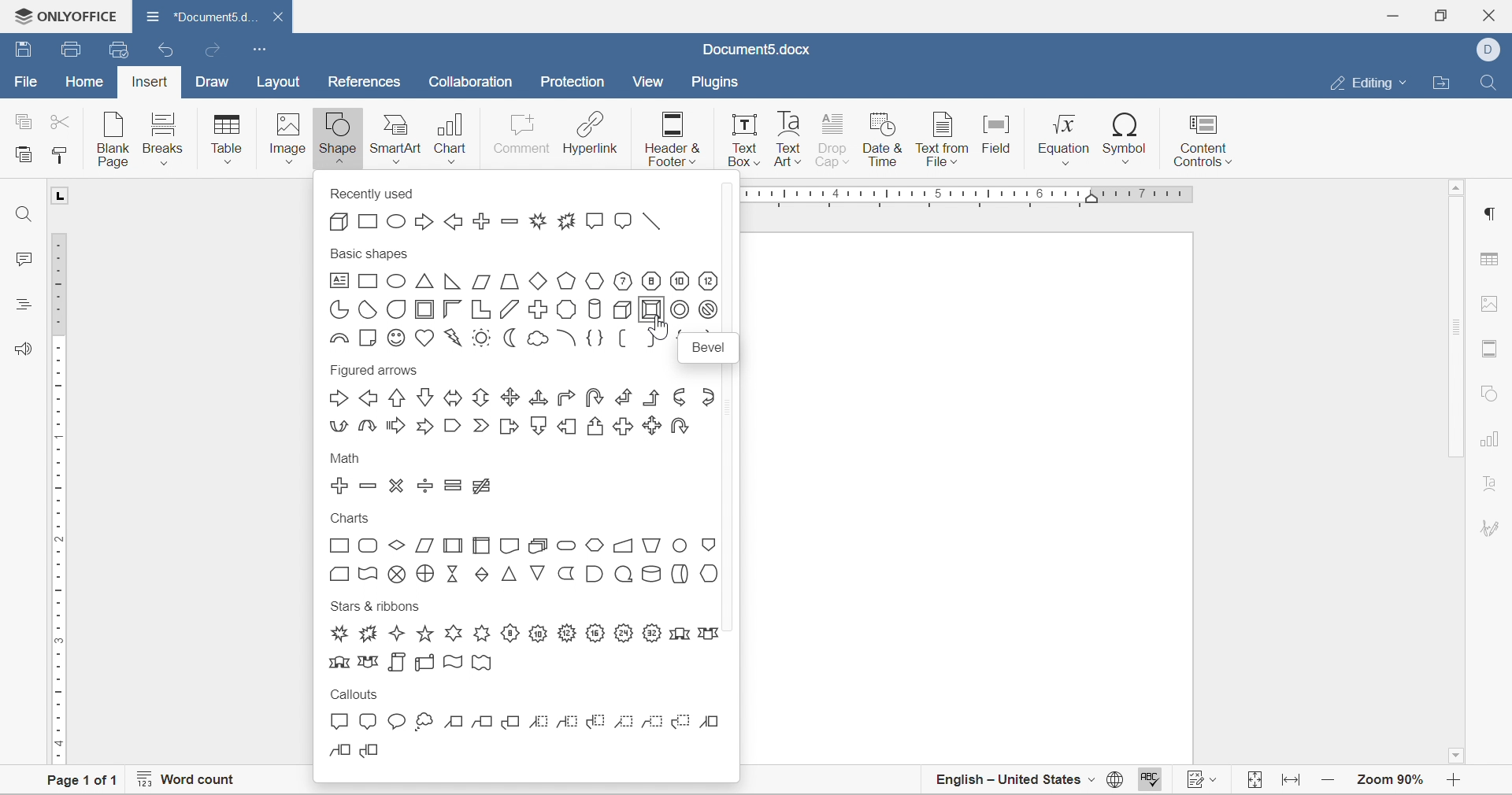  What do you see at coordinates (1333, 783) in the screenshot?
I see `zoom in` at bounding box center [1333, 783].